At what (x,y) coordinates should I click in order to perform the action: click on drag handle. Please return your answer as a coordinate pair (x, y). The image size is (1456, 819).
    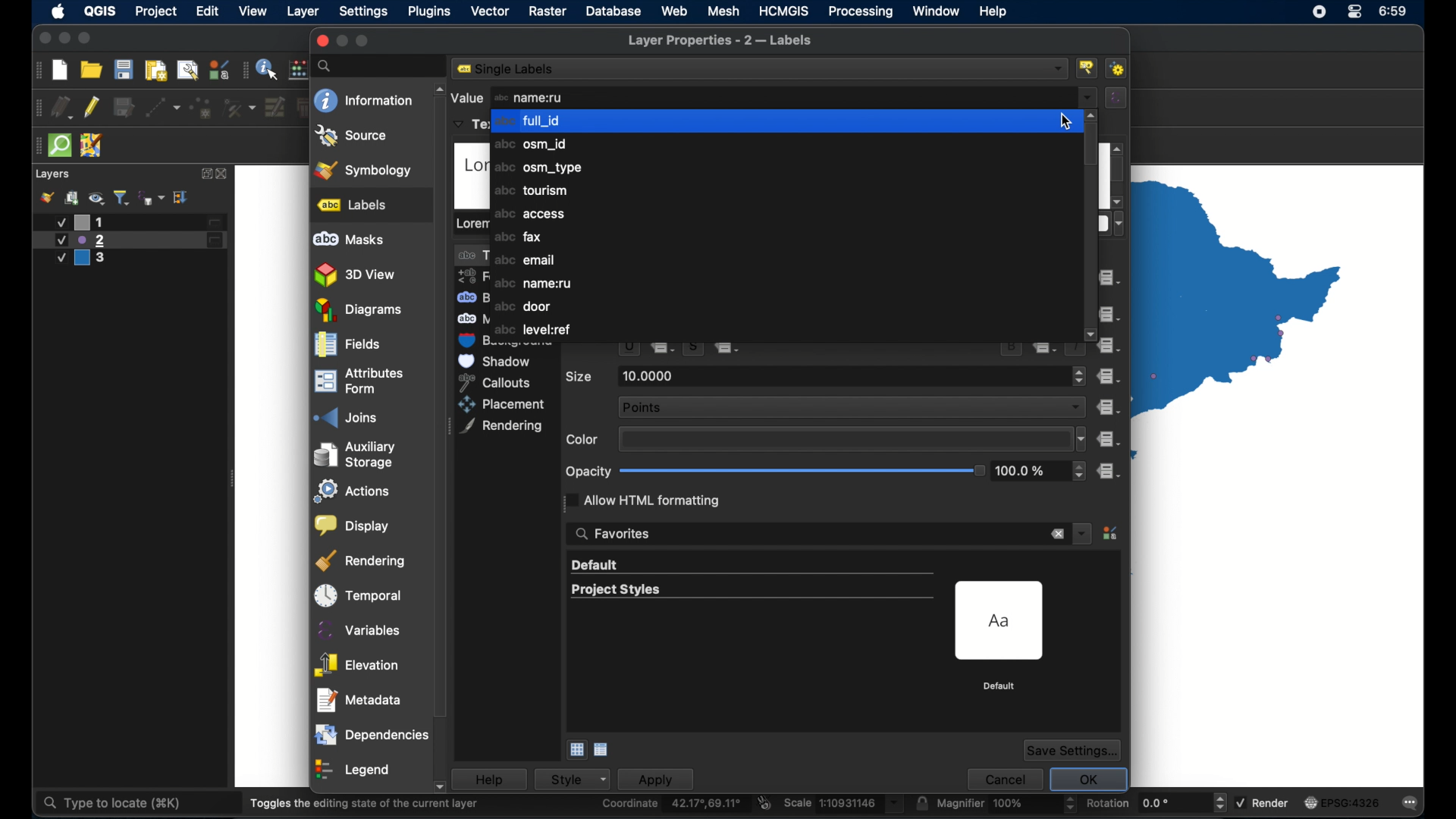
    Looking at the image, I should click on (245, 69).